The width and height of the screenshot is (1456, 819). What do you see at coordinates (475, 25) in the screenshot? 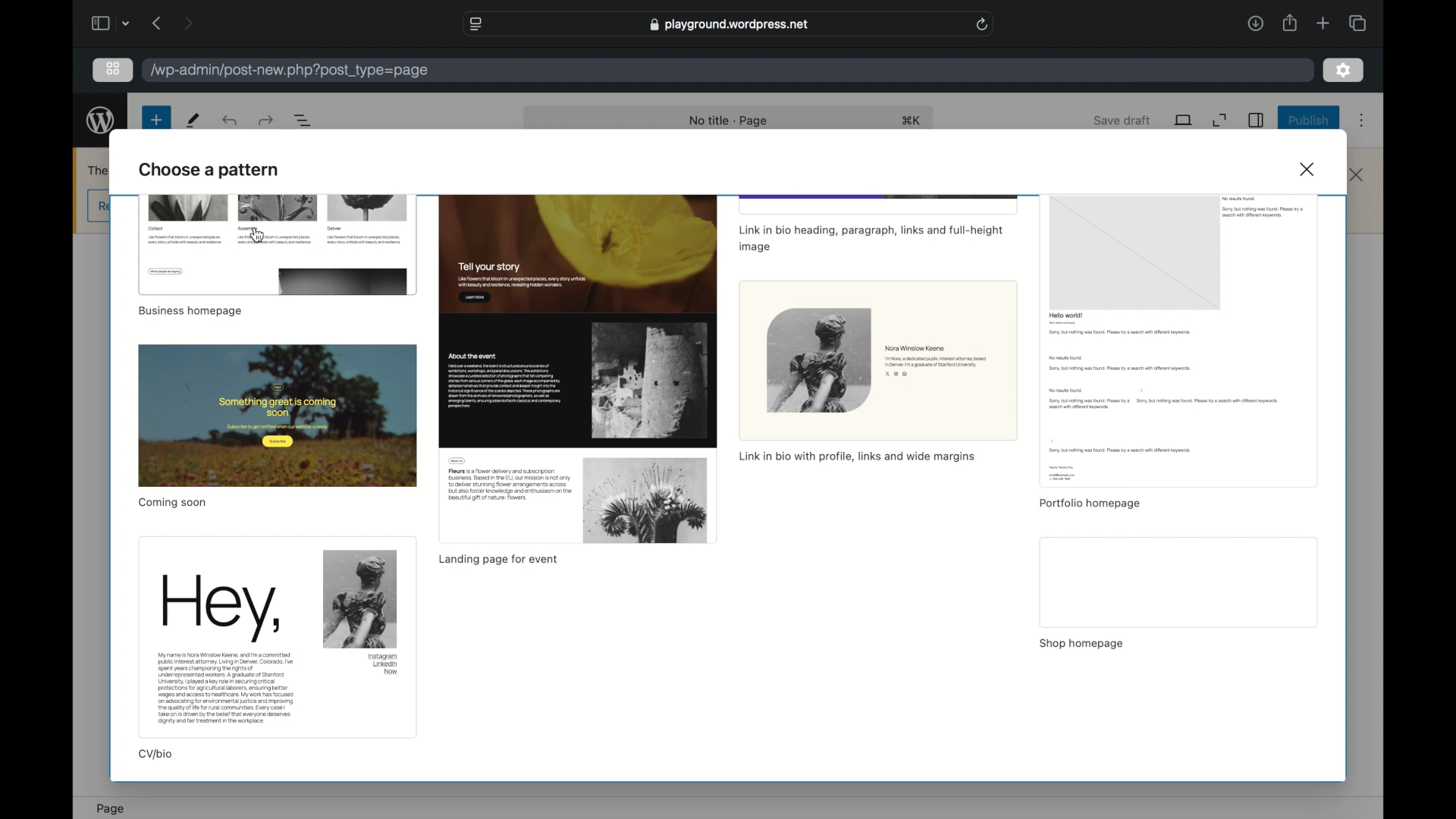
I see `website settings` at bounding box center [475, 25].